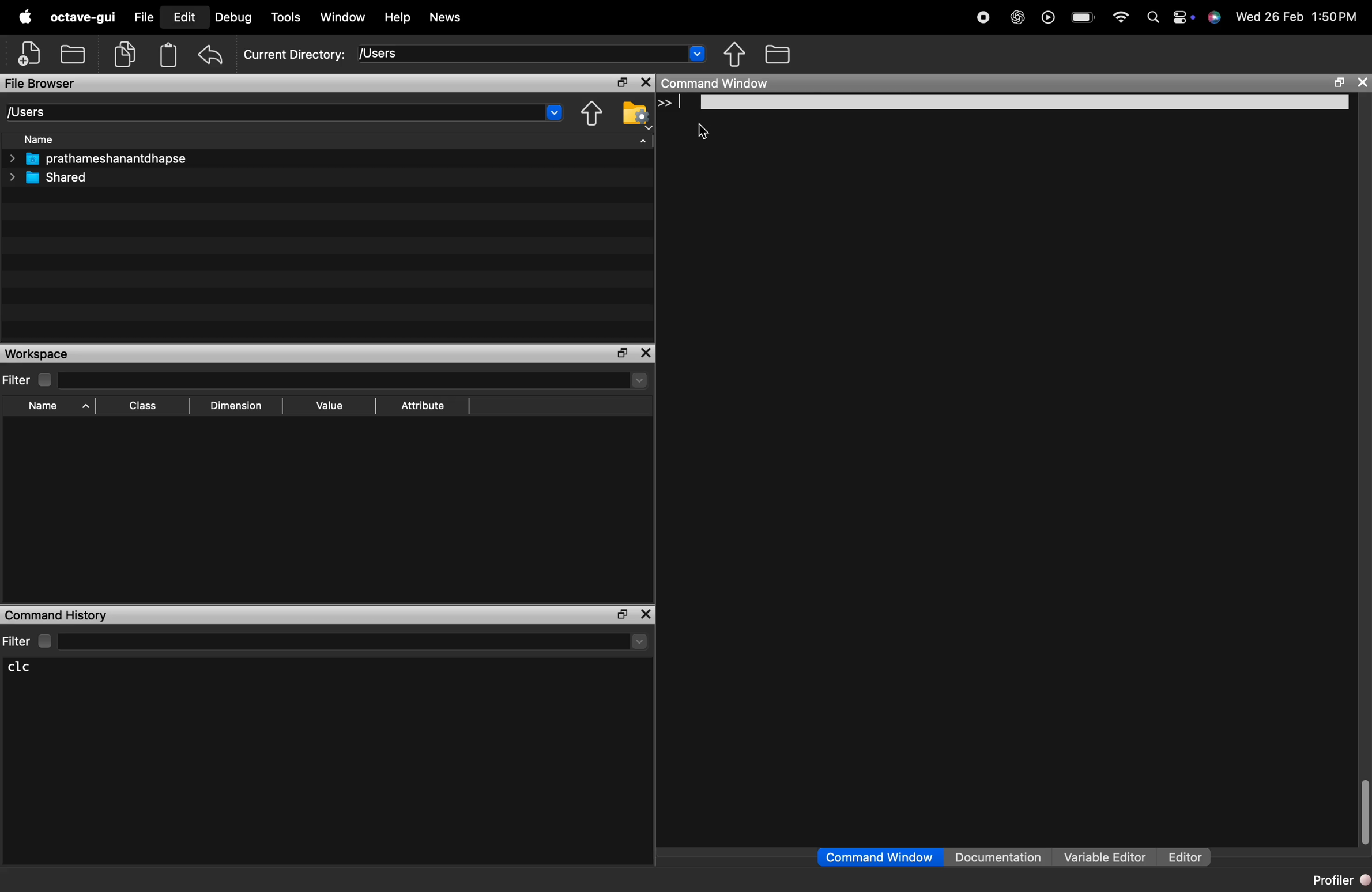 The image size is (1372, 892). Describe the element at coordinates (235, 17) in the screenshot. I see `Debug` at that location.